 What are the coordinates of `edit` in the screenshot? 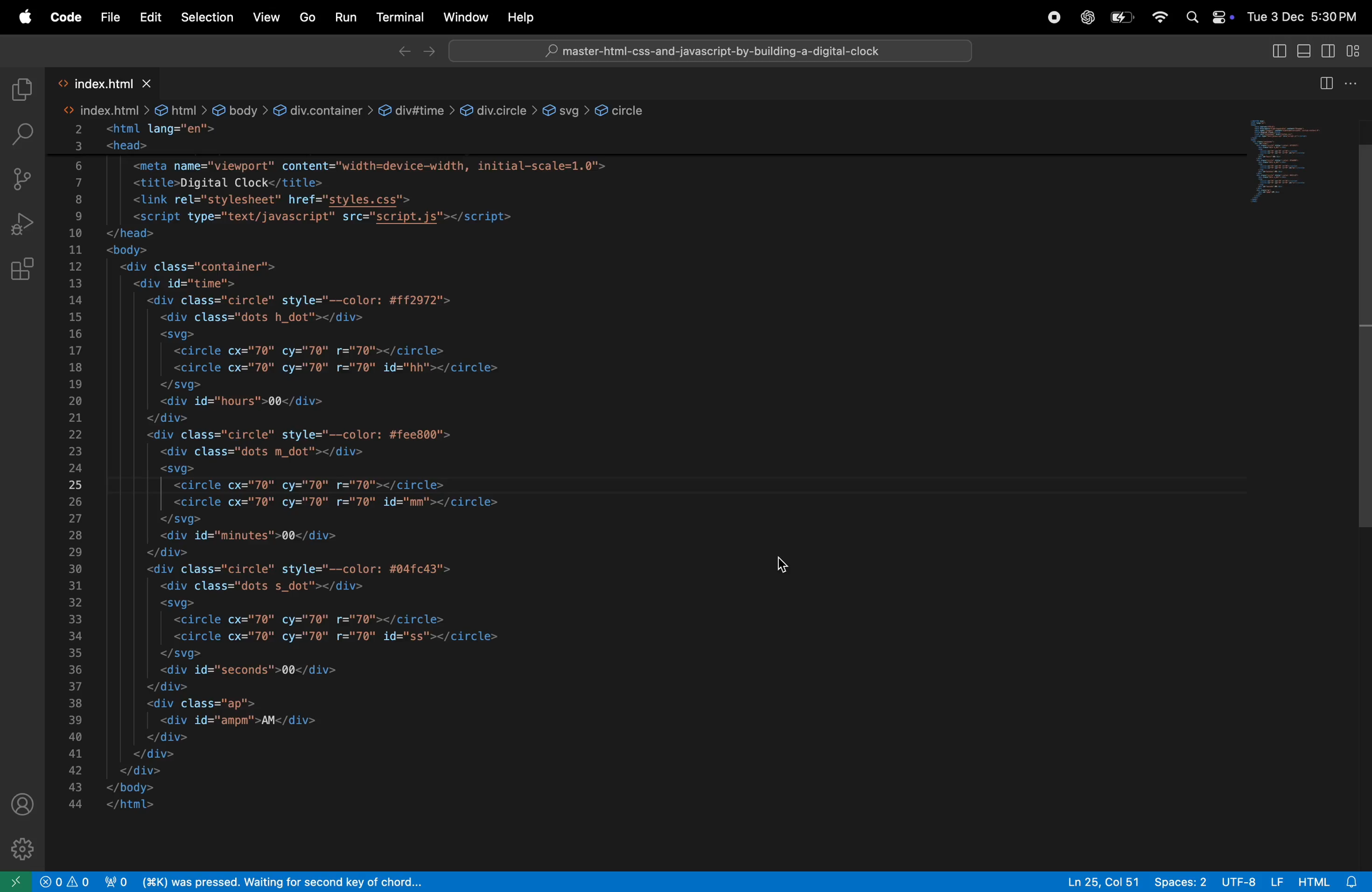 It's located at (149, 17).